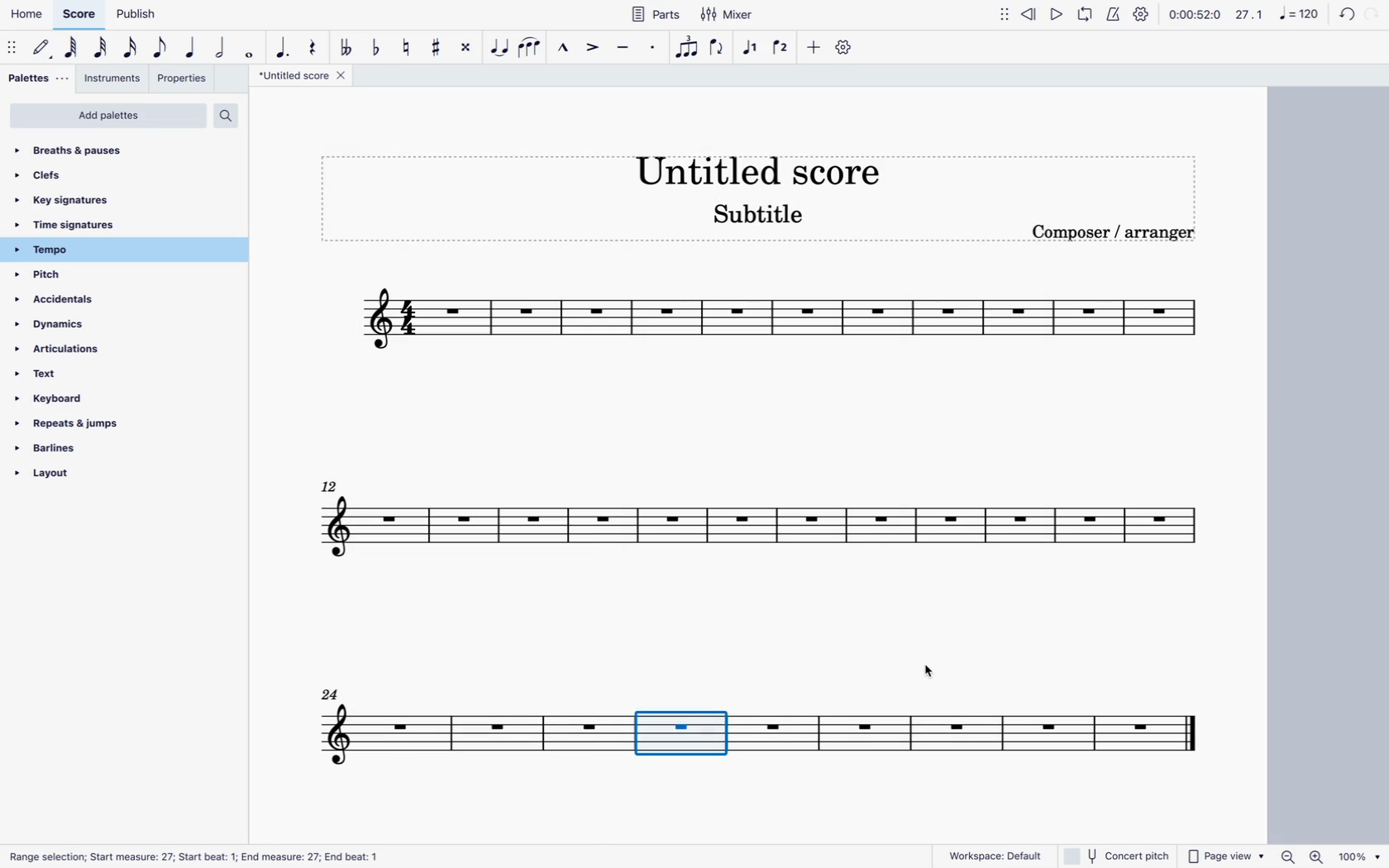 The height and width of the screenshot is (868, 1389). What do you see at coordinates (221, 47) in the screenshot?
I see `double note` at bounding box center [221, 47].